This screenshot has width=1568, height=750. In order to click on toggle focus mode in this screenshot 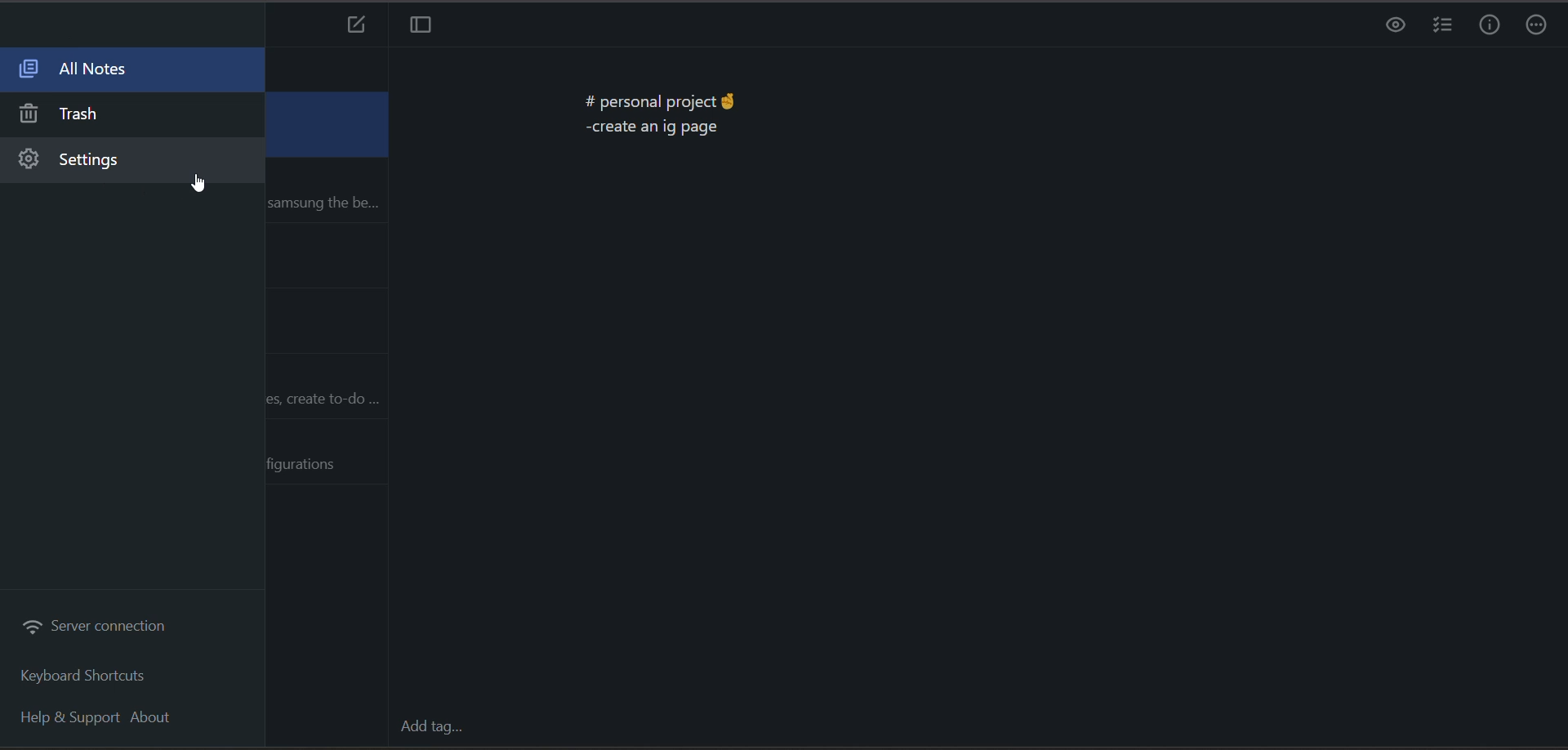, I will do `click(421, 25)`.